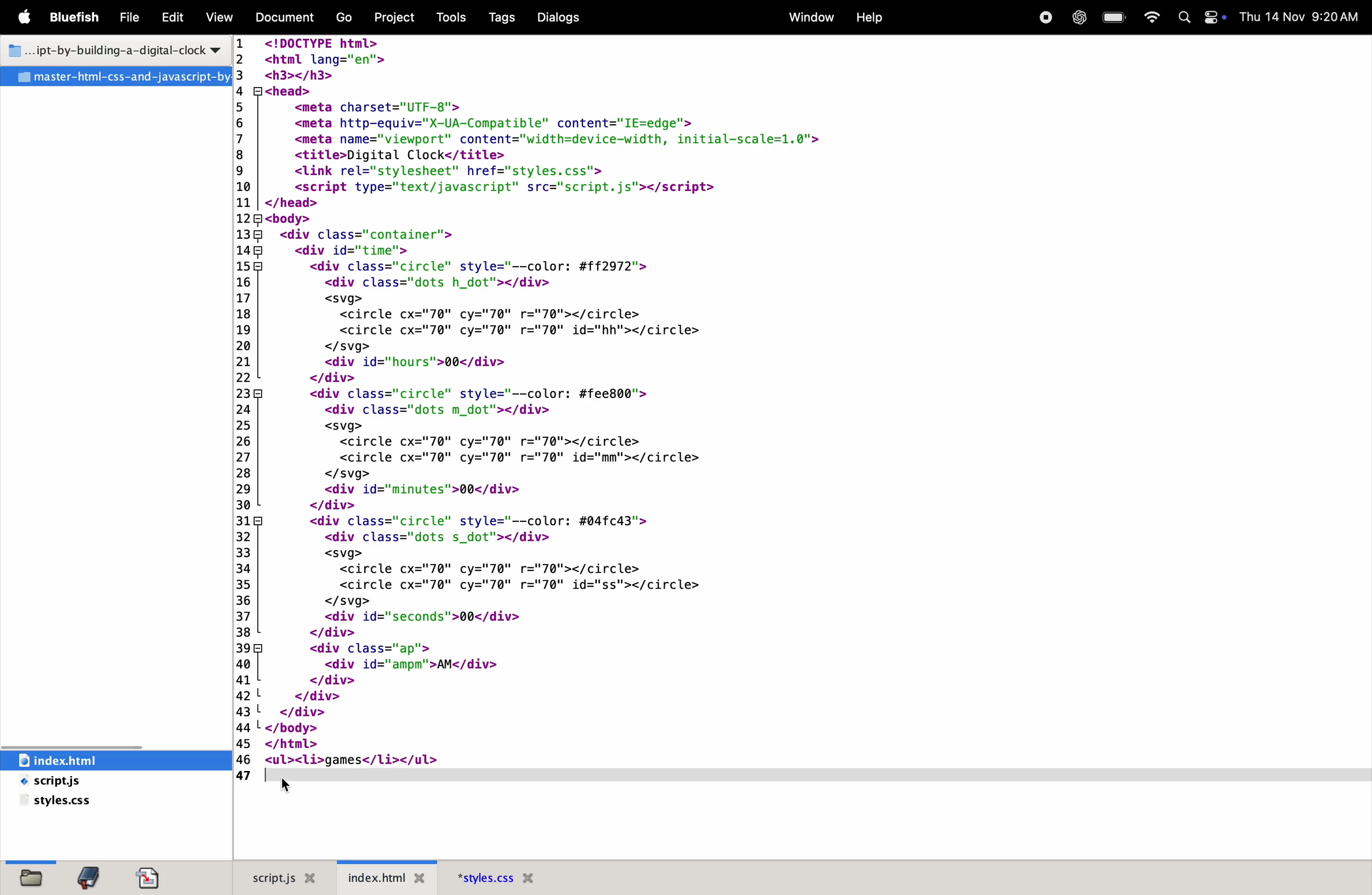 This screenshot has height=895, width=1372. What do you see at coordinates (111, 48) in the screenshot?
I see `title` at bounding box center [111, 48].